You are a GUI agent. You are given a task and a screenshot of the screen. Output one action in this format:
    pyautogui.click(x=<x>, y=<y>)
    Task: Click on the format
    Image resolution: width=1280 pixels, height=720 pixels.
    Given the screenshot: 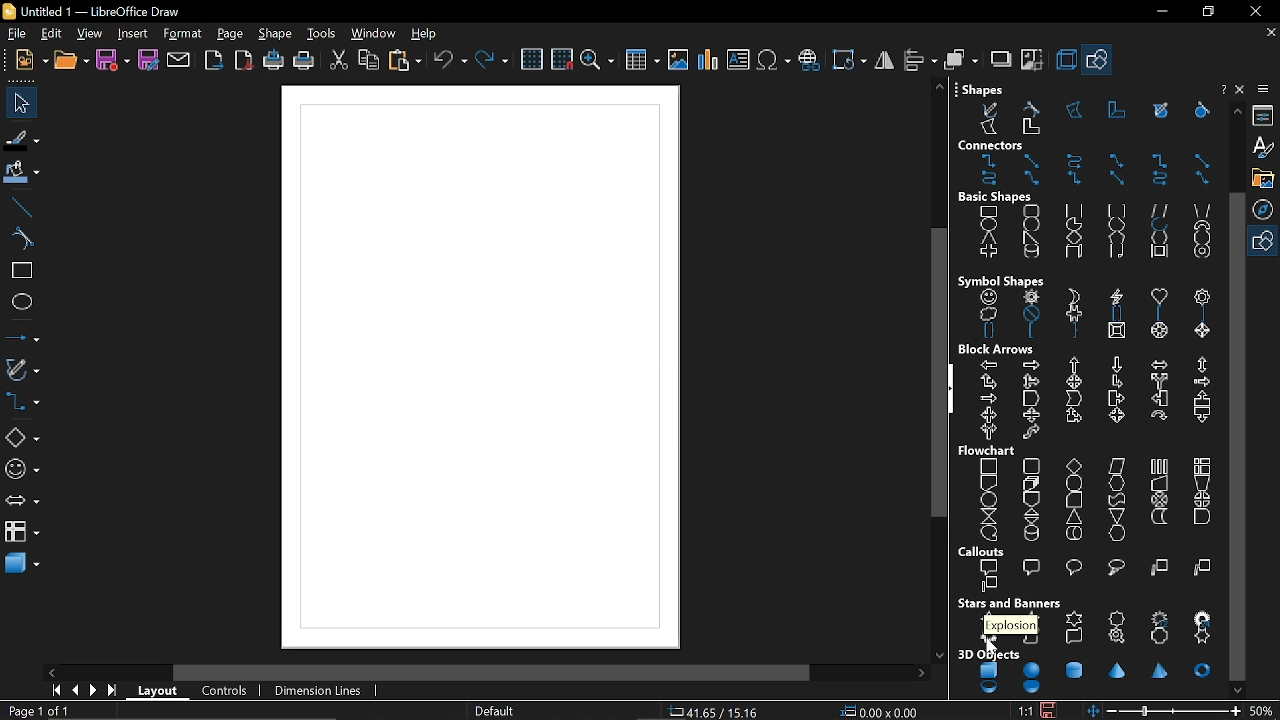 What is the action you would take?
    pyautogui.click(x=182, y=34)
    